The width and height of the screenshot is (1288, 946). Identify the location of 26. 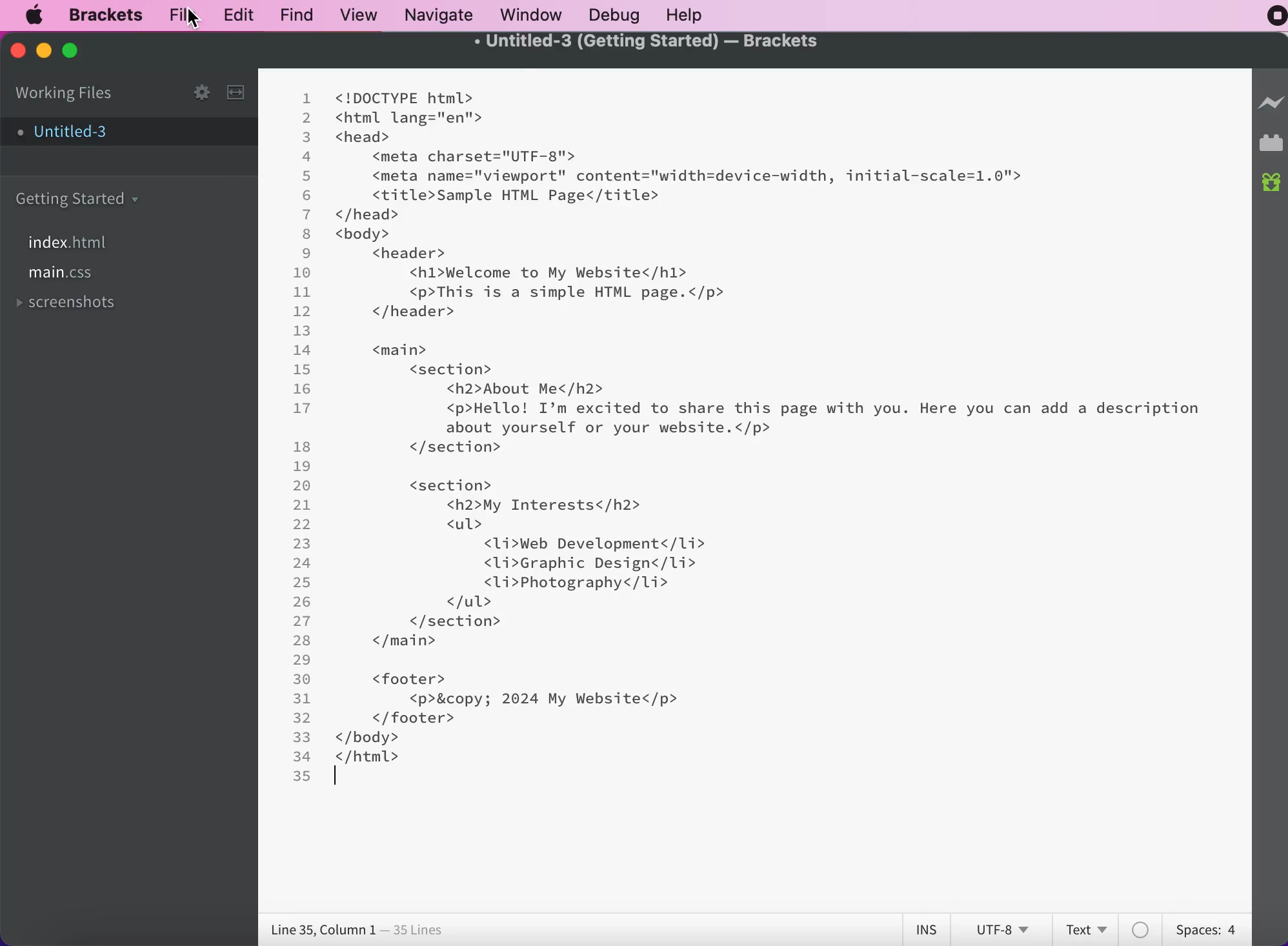
(302, 602).